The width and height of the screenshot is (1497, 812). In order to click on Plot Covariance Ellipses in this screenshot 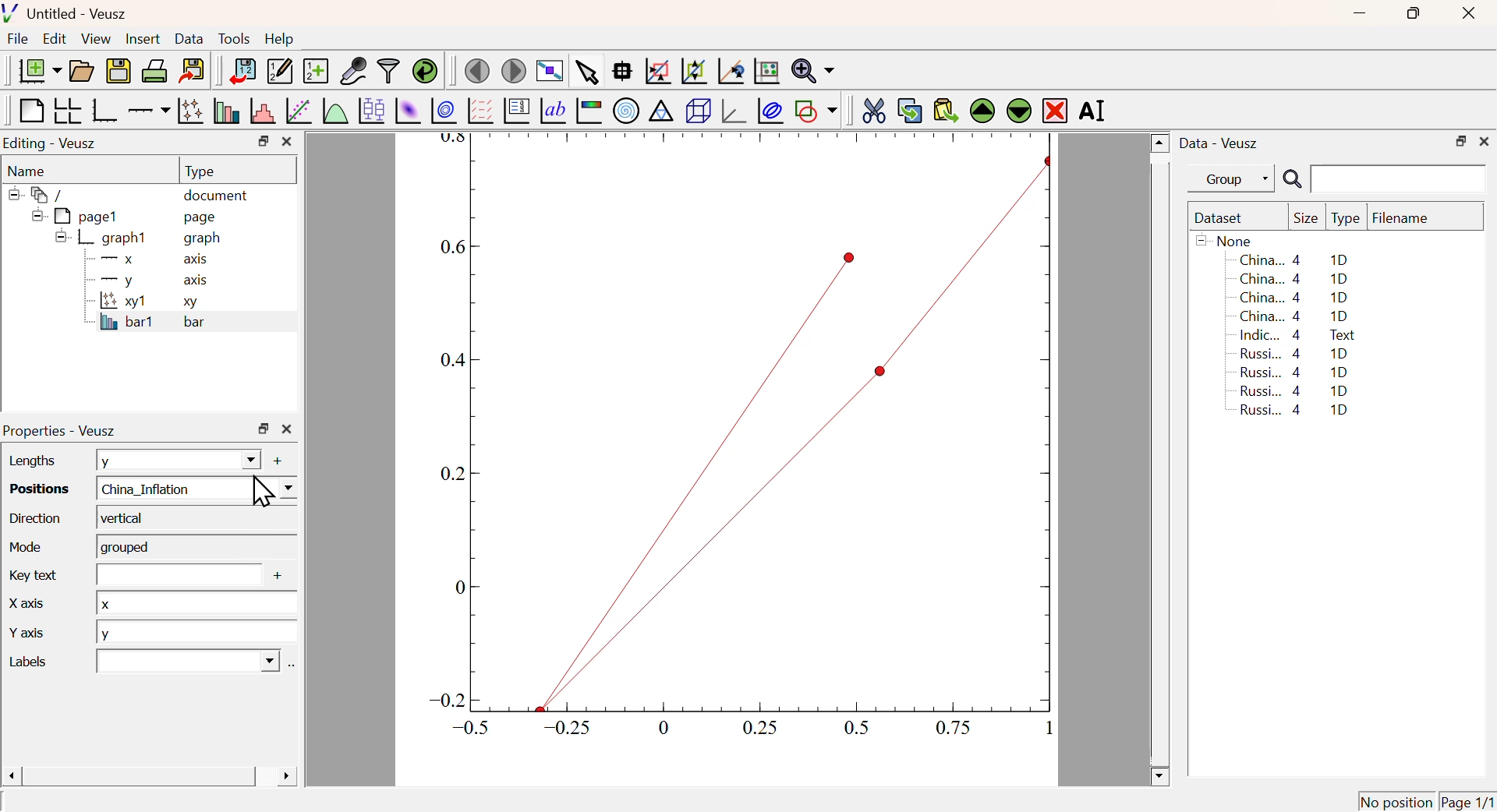, I will do `click(770, 112)`.